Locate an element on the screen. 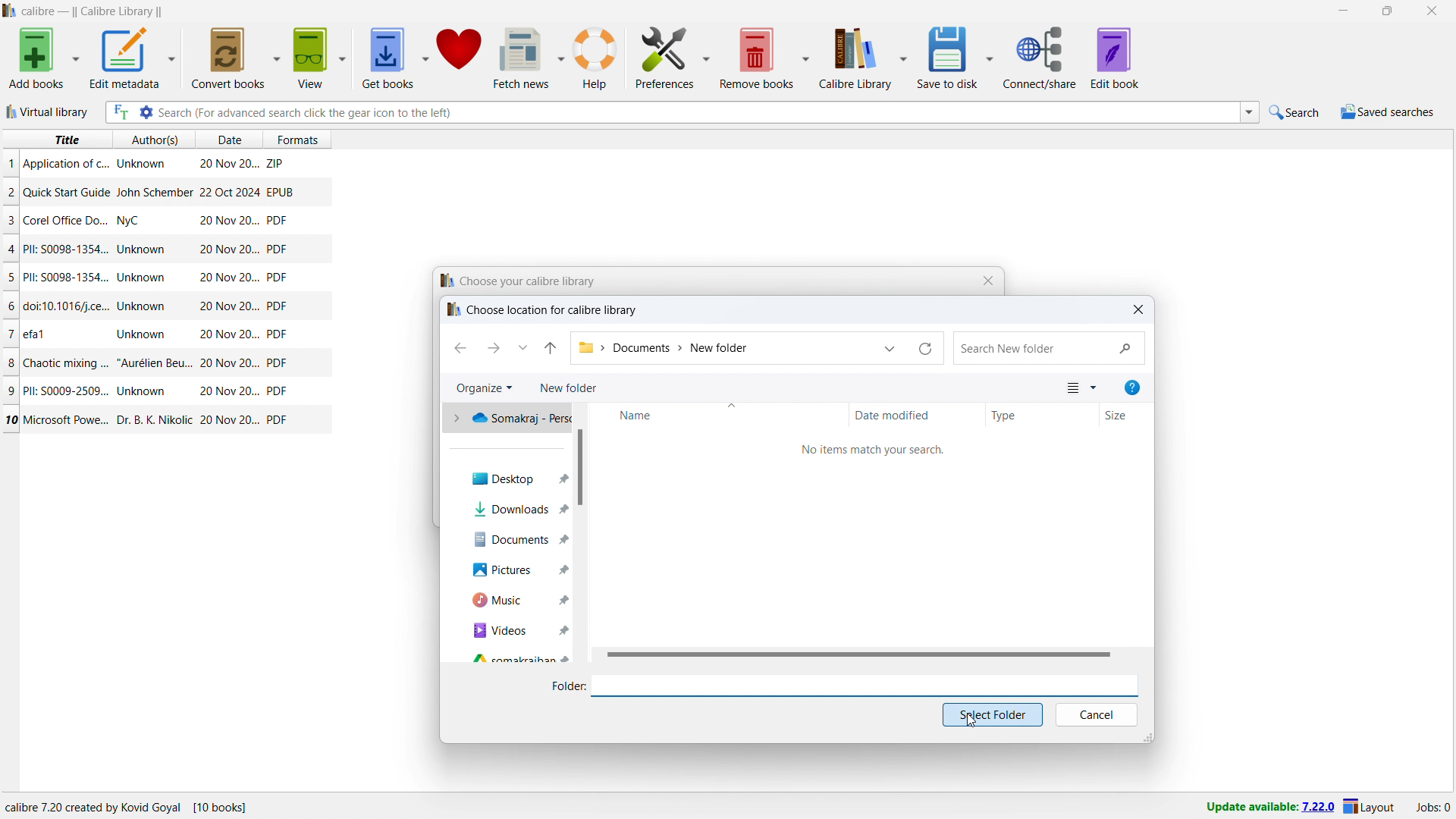 This screenshot has width=1456, height=819. horizontal scrollbar is located at coordinates (858, 654).